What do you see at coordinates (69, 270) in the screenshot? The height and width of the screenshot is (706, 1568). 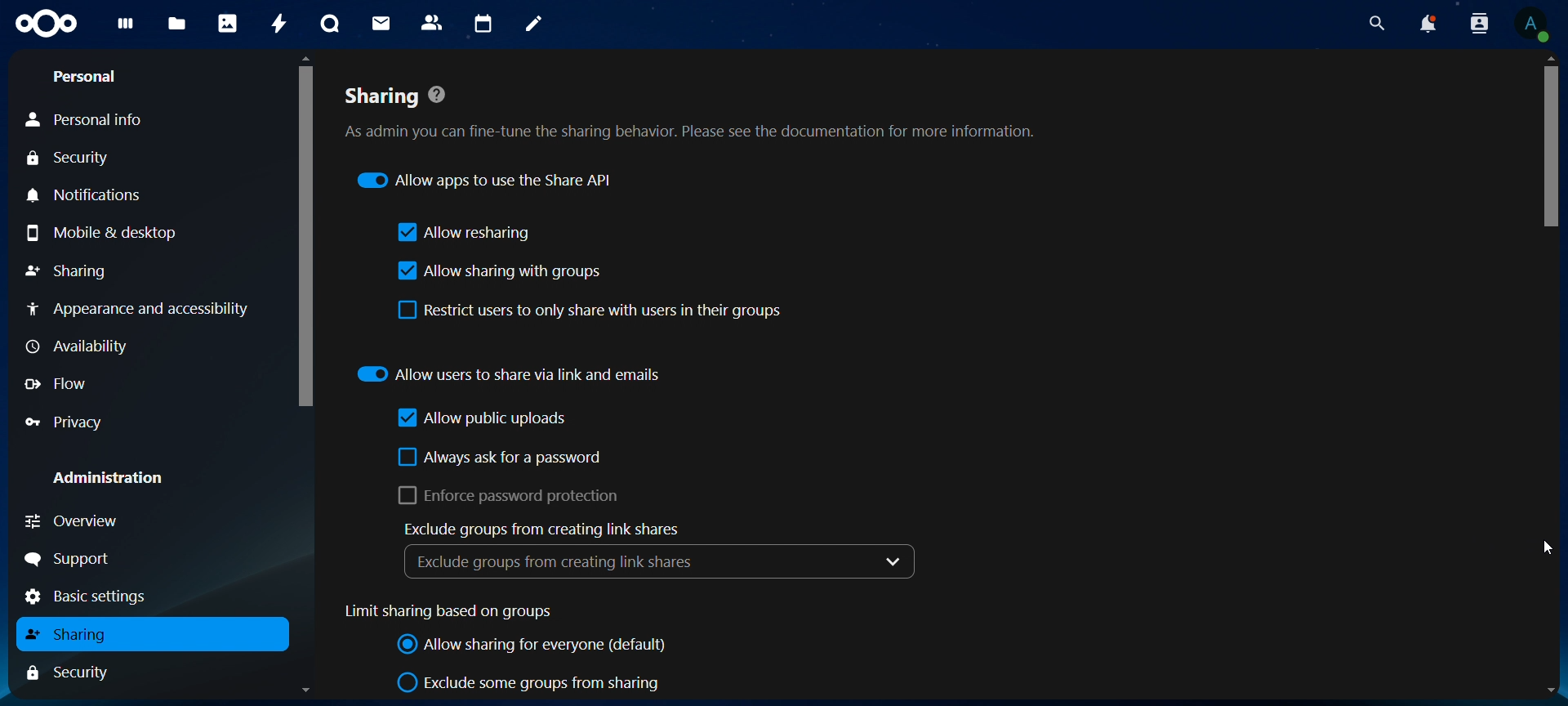 I see `sharing` at bounding box center [69, 270].